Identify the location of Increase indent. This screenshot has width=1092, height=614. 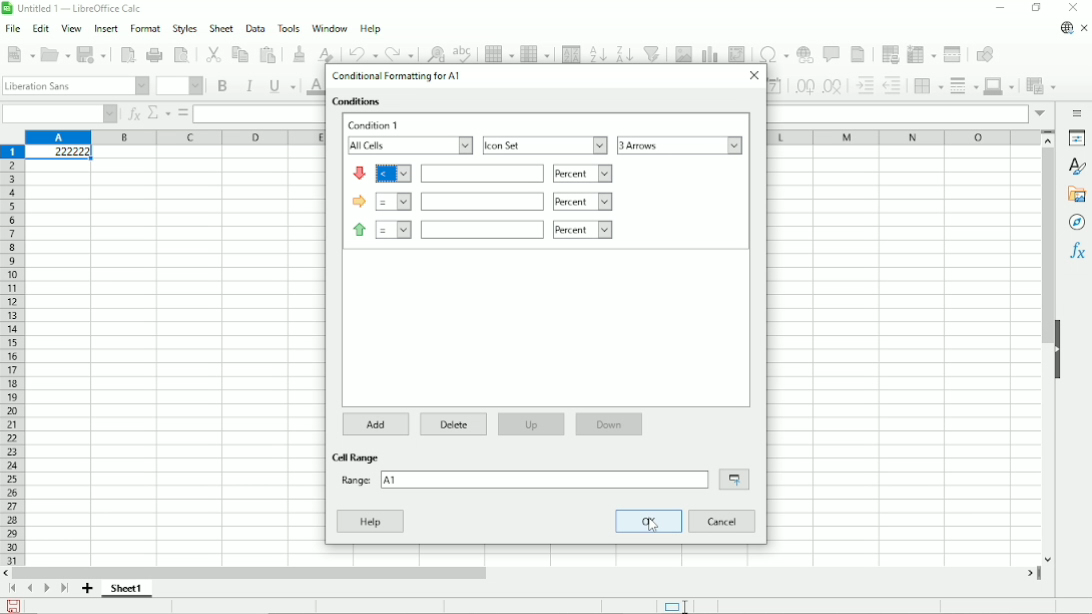
(864, 86).